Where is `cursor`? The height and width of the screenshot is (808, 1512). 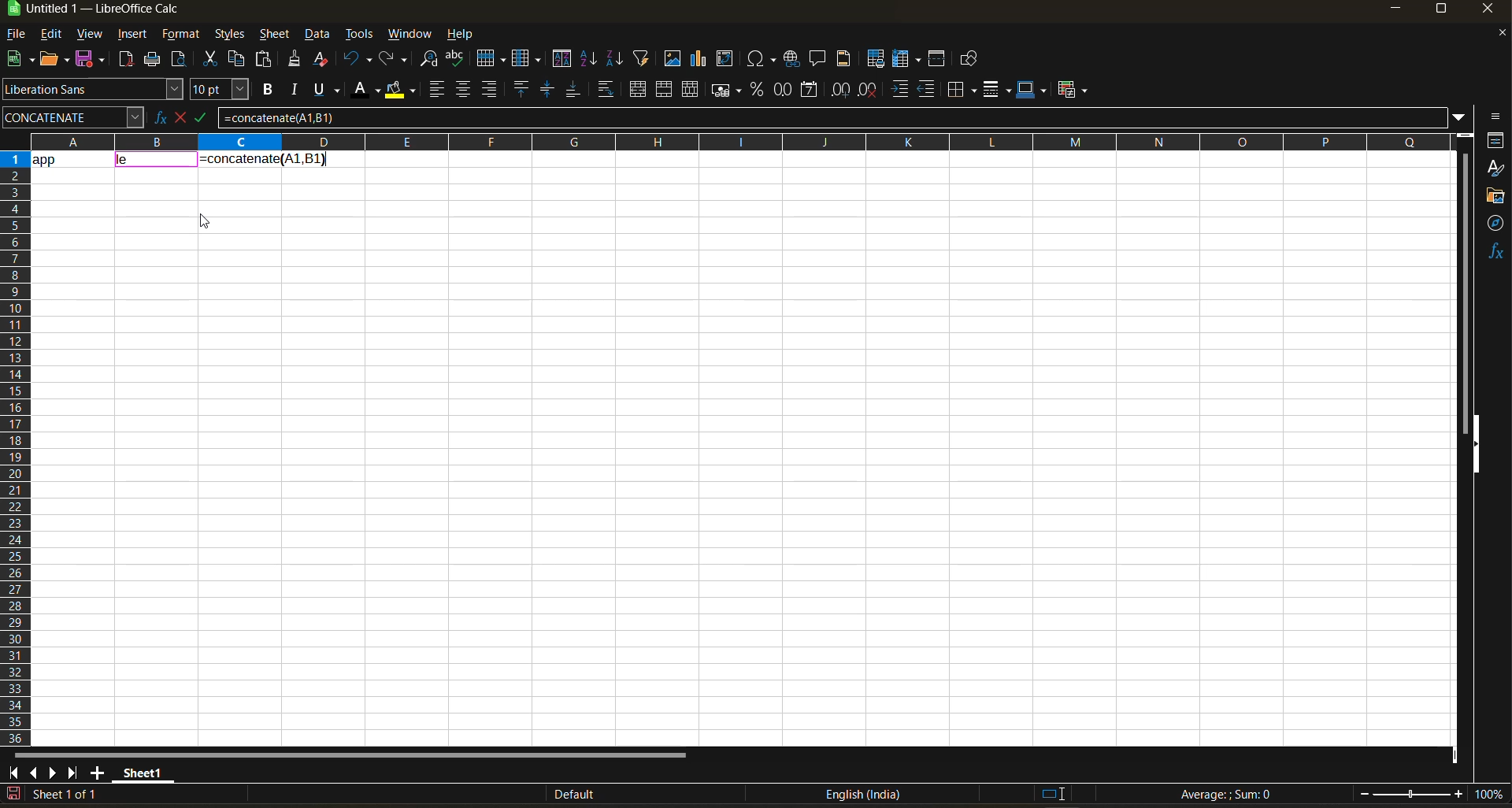 cursor is located at coordinates (206, 224).